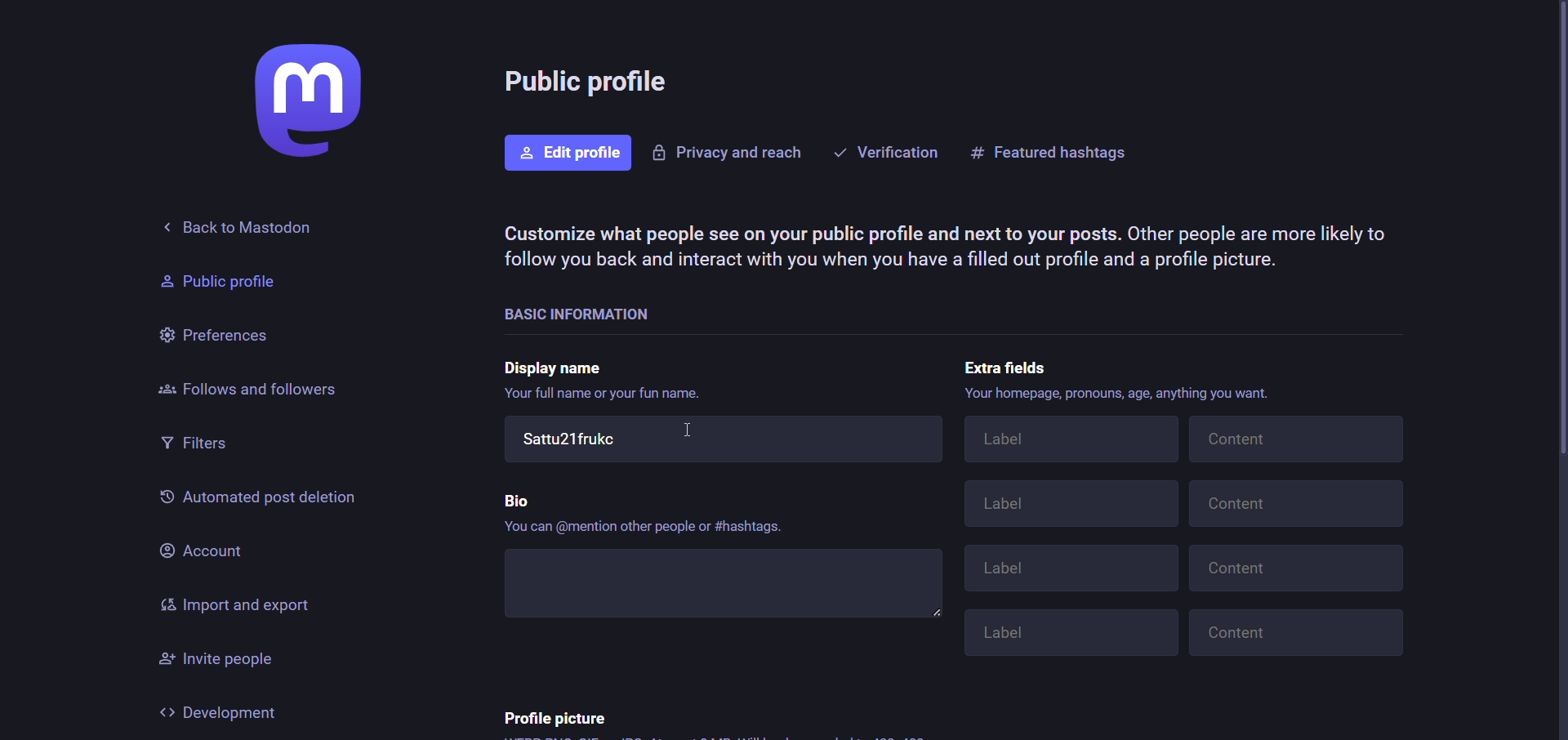 The image size is (1568, 740). I want to click on automated past deletion, so click(256, 500).